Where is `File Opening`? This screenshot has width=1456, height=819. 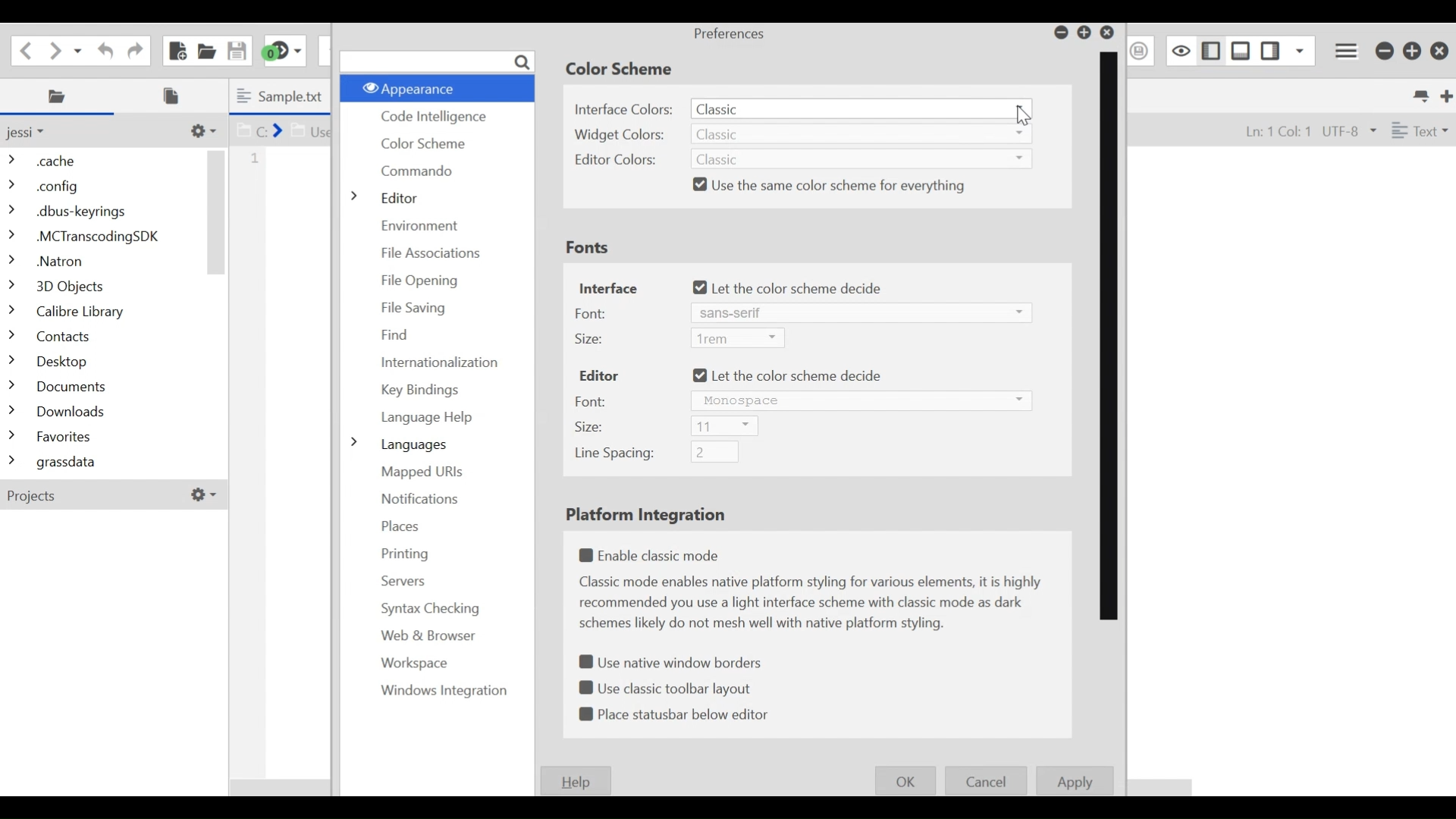
File Opening is located at coordinates (428, 278).